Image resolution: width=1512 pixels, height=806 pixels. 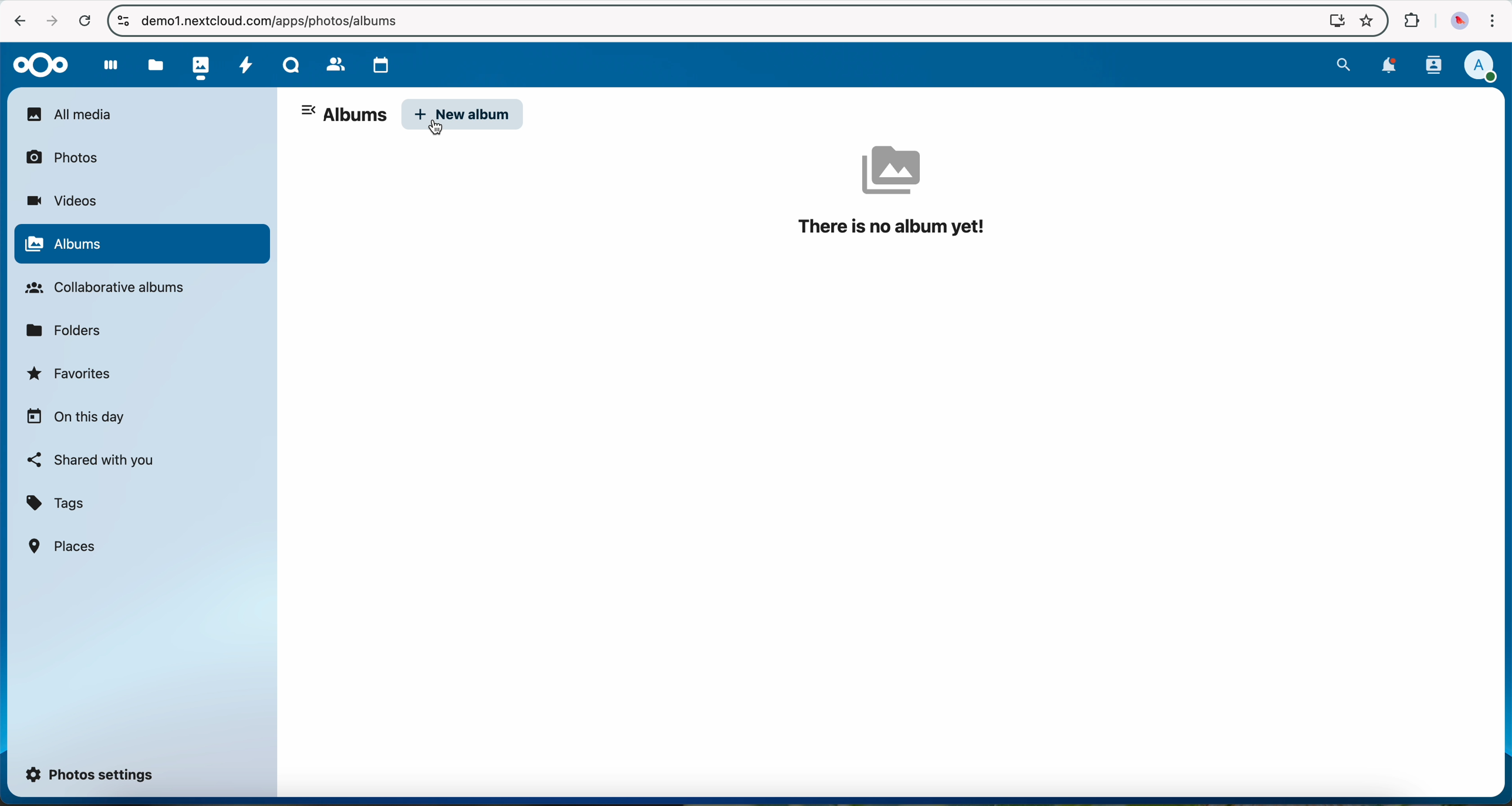 I want to click on navigate back, so click(x=15, y=19).